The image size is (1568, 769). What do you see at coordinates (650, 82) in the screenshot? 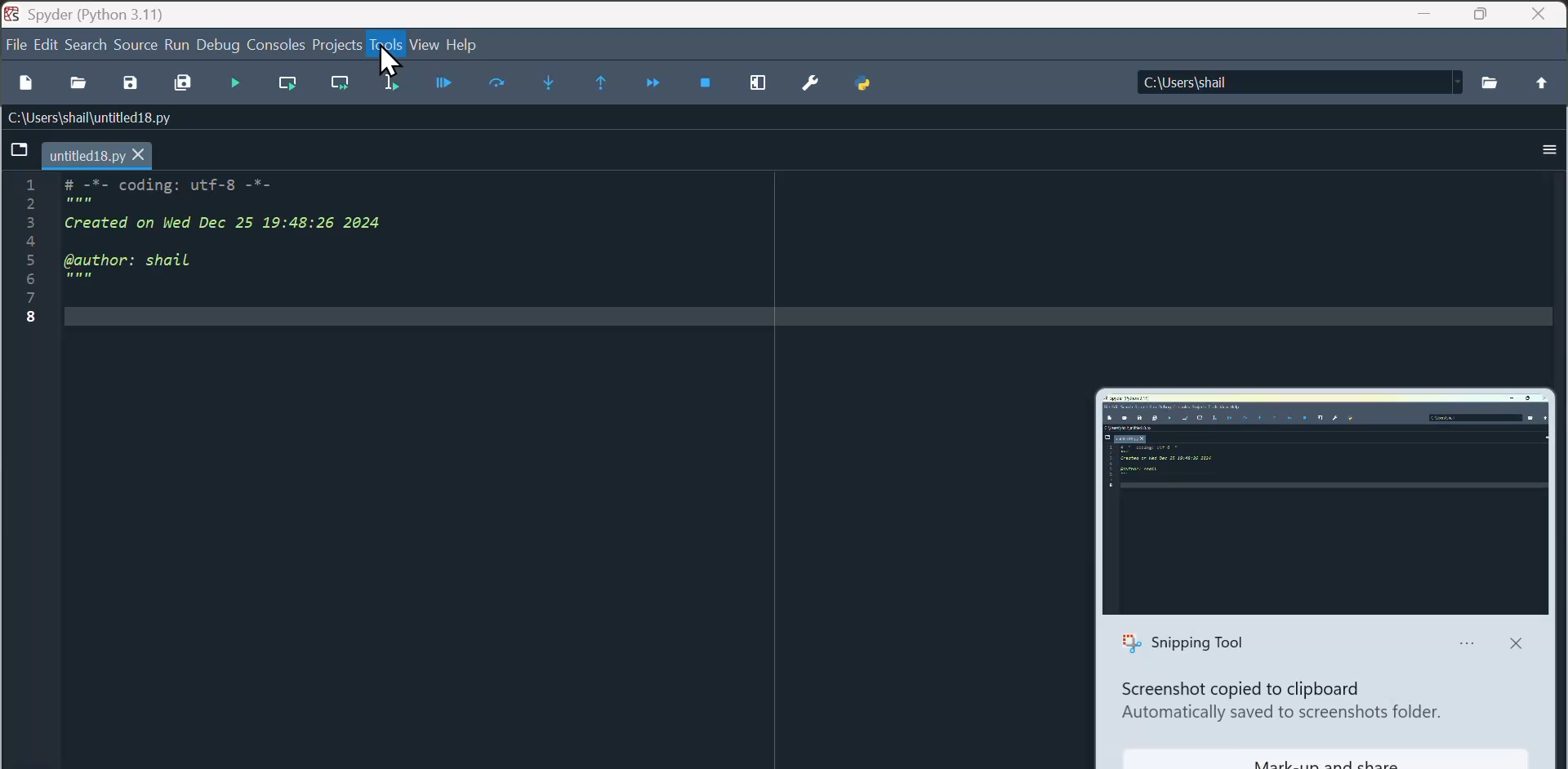
I see `Continue debugging until next function` at bounding box center [650, 82].